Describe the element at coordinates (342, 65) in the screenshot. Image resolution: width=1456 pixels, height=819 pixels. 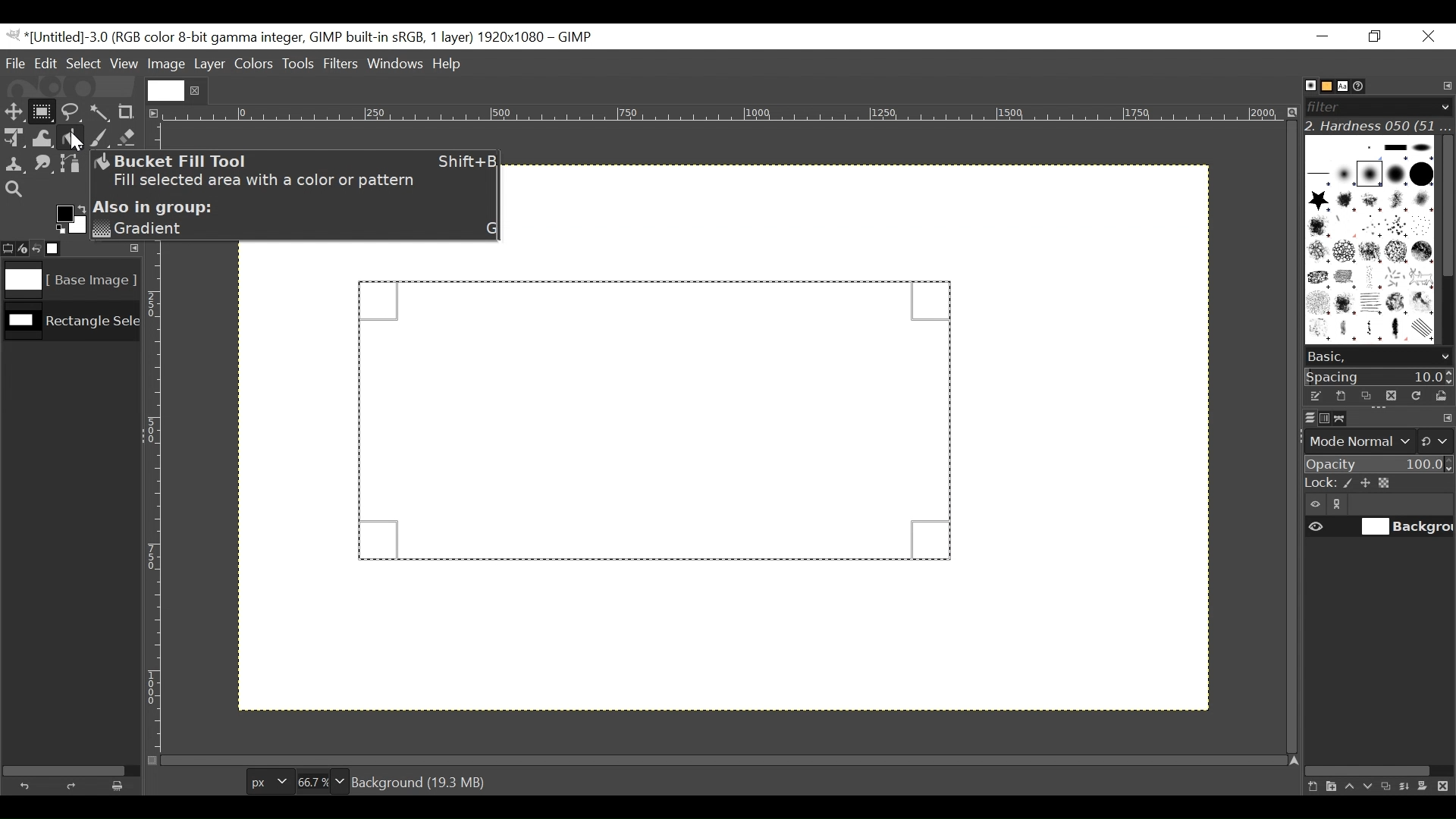
I see `Filters` at that location.